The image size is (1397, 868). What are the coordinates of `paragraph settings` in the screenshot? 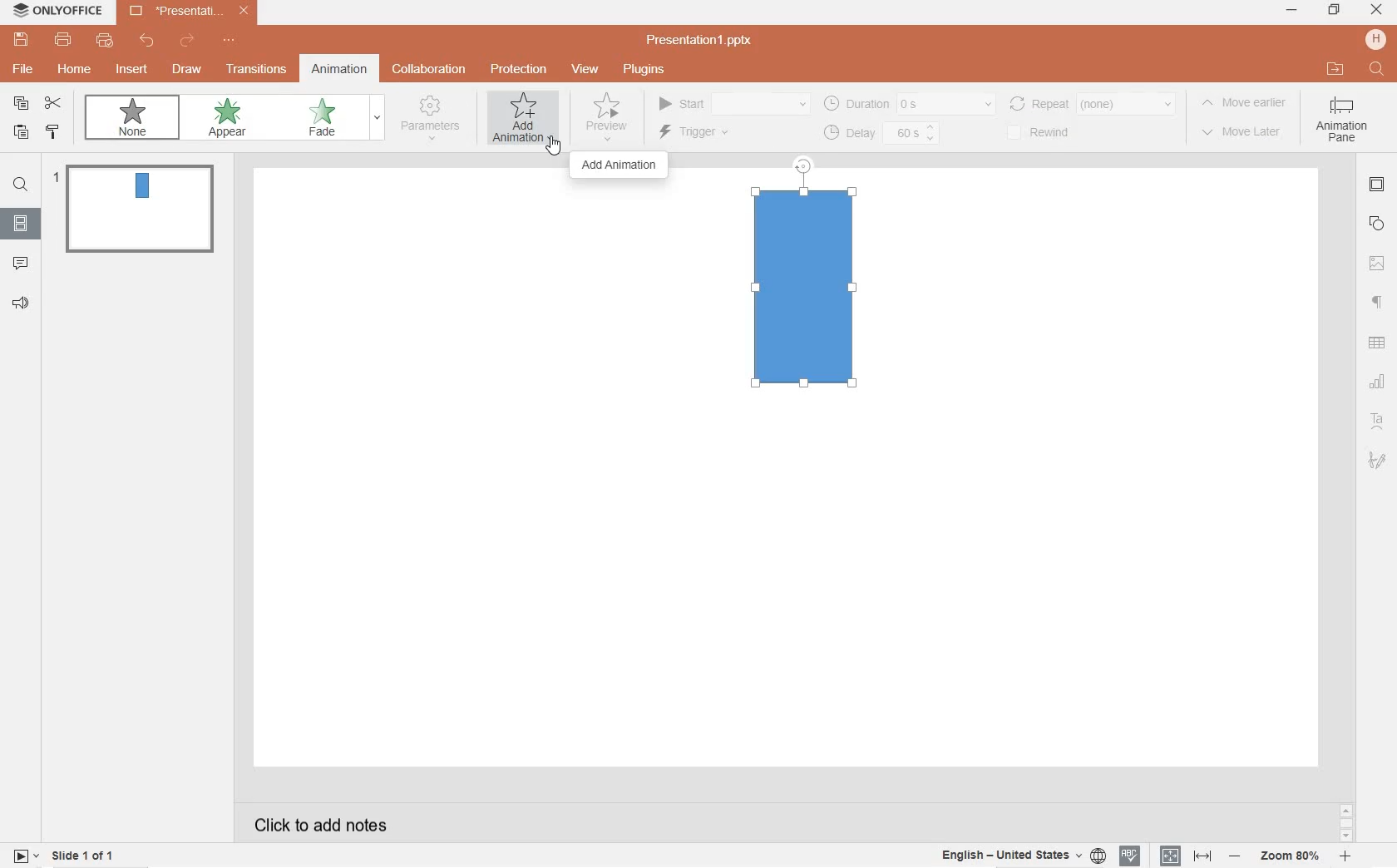 It's located at (1378, 301).